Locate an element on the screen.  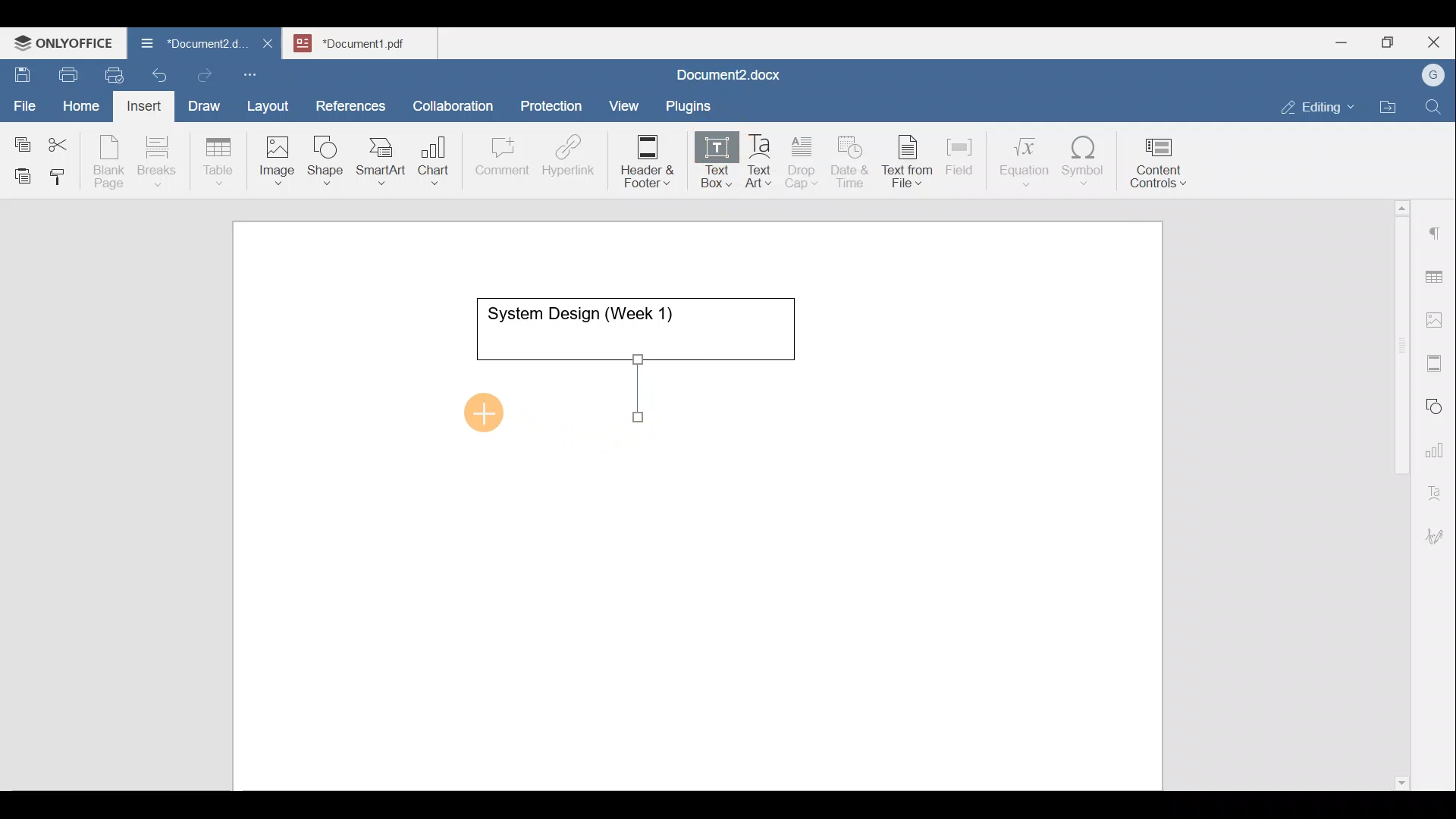
Save is located at coordinates (21, 71).